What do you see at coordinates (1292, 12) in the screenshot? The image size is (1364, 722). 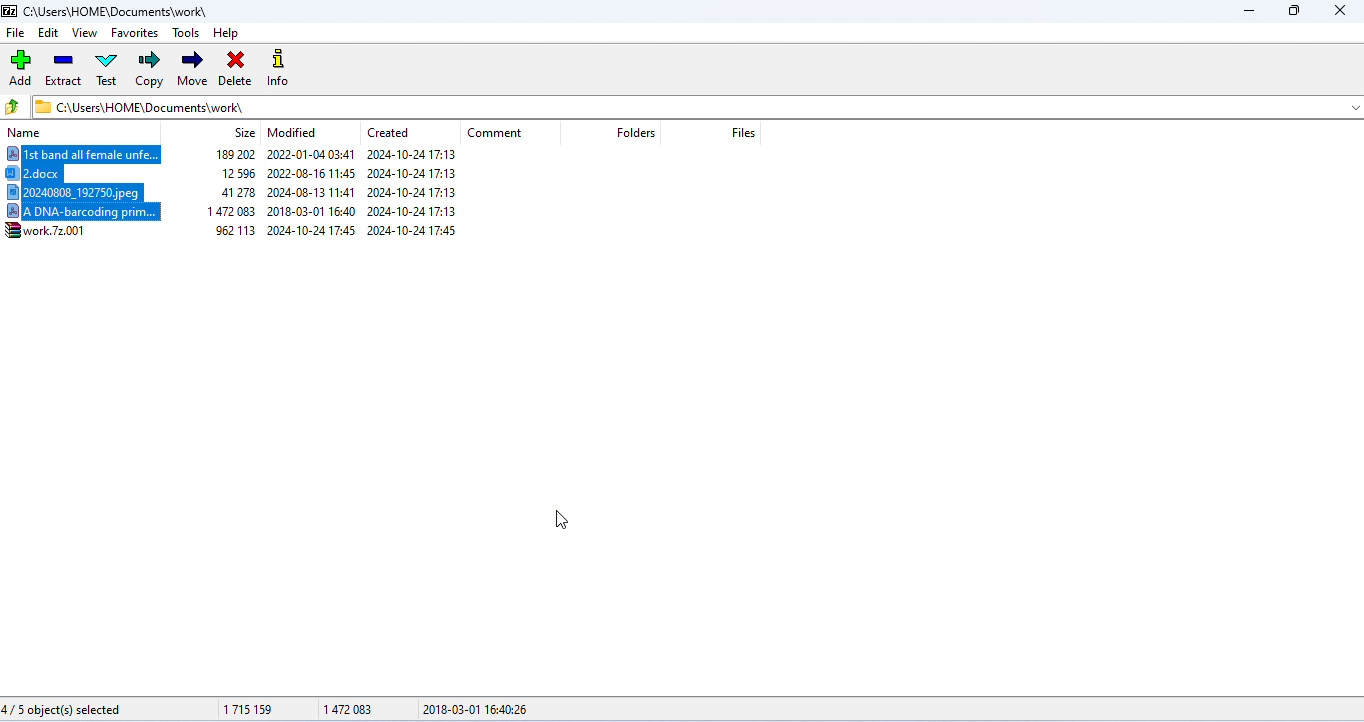 I see `maximize` at bounding box center [1292, 12].